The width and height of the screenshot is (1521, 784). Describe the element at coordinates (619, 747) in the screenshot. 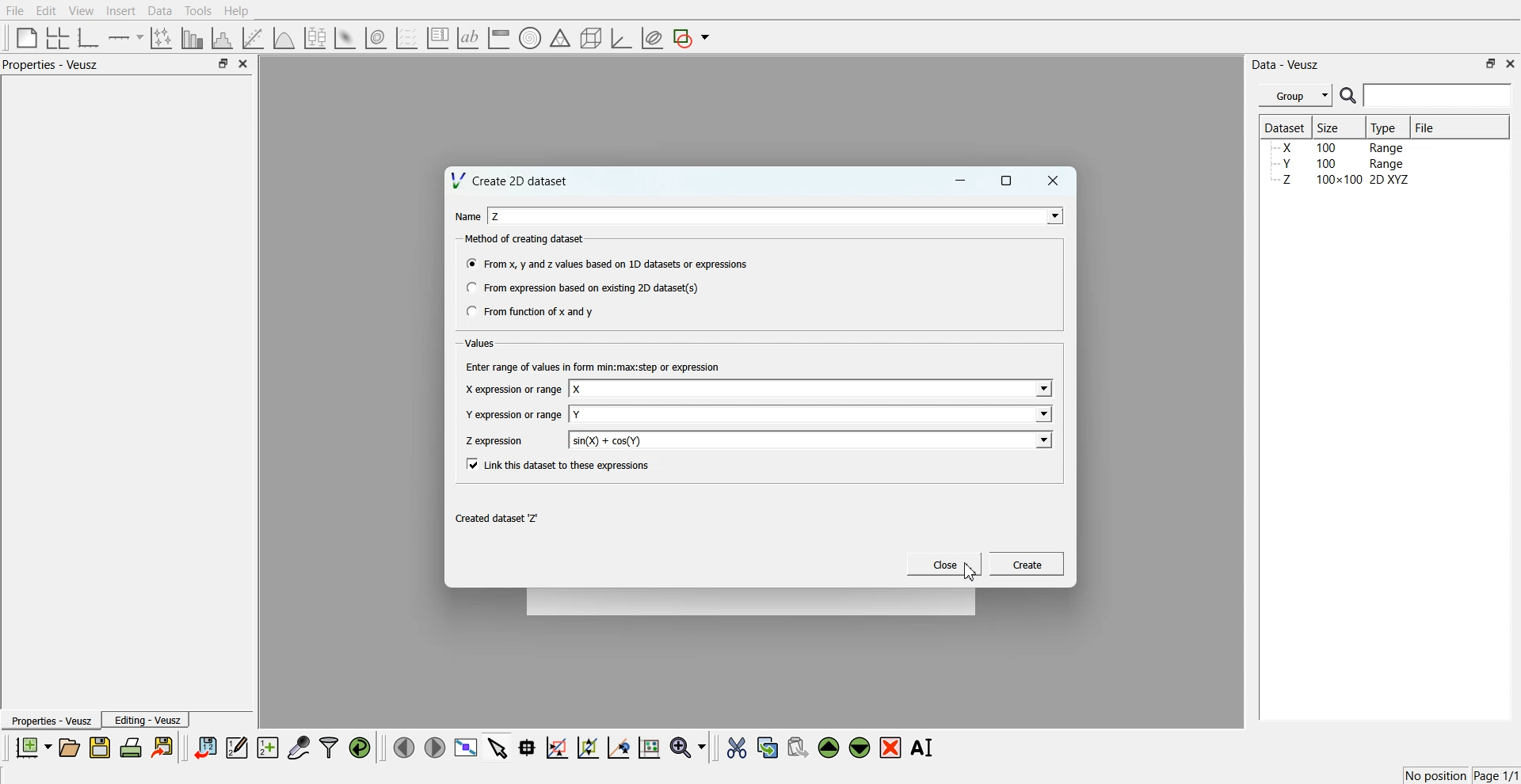

I see `Recenter graph axes` at that location.